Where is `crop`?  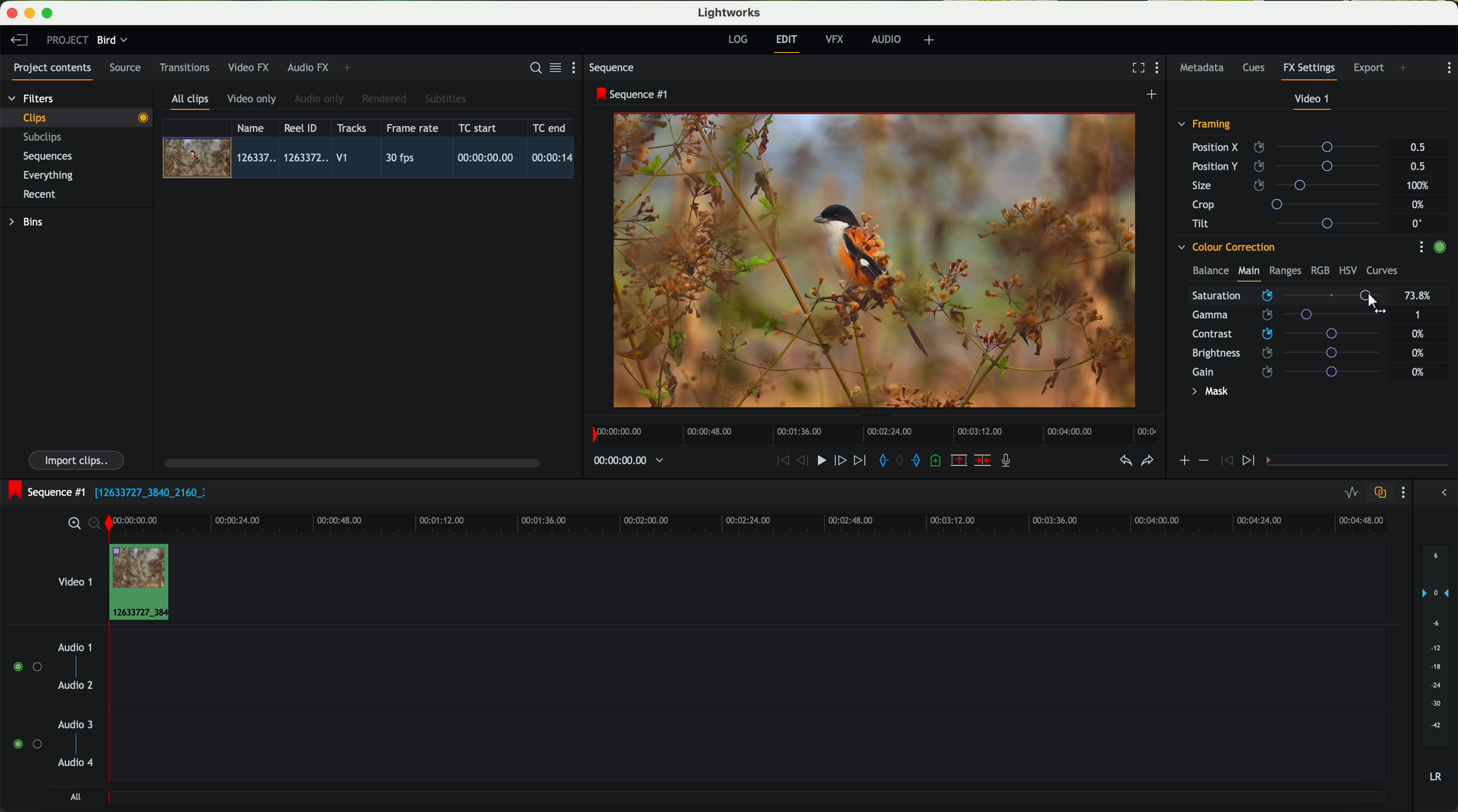 crop is located at coordinates (1290, 204).